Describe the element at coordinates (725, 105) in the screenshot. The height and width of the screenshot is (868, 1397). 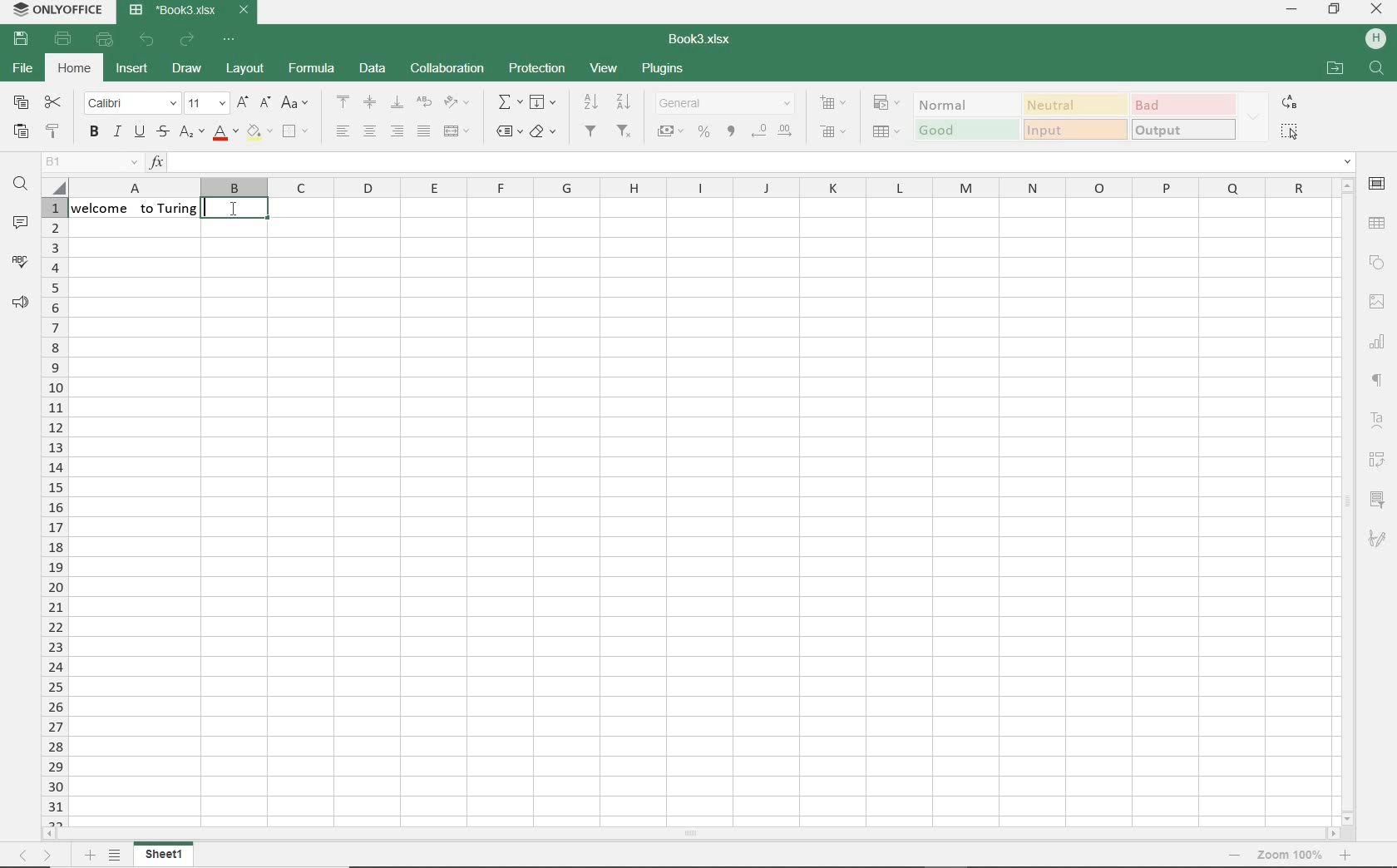
I see `number format` at that location.